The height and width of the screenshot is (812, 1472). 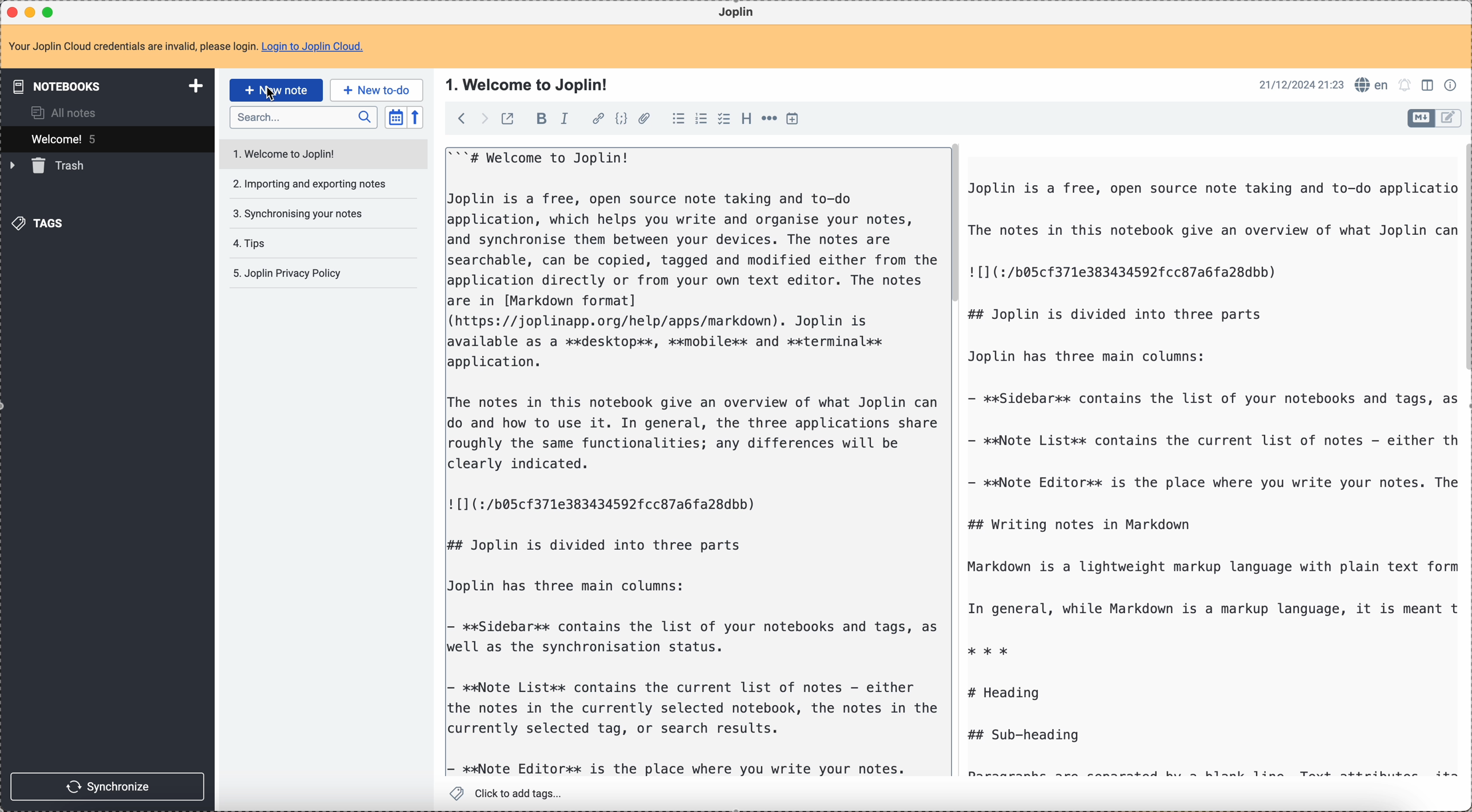 What do you see at coordinates (395, 117) in the screenshot?
I see `toggle sort order field` at bounding box center [395, 117].